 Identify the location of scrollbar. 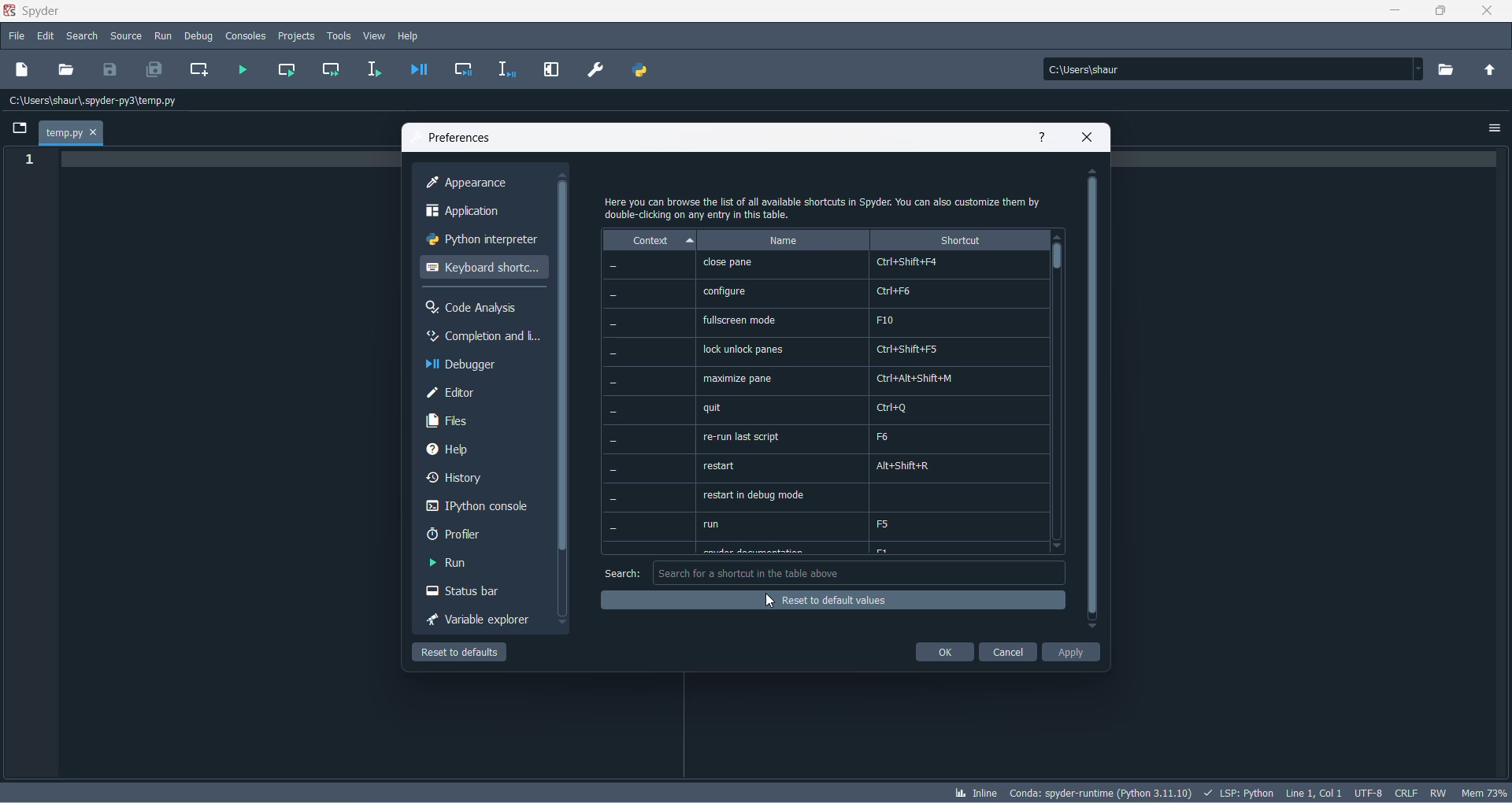
(1093, 399).